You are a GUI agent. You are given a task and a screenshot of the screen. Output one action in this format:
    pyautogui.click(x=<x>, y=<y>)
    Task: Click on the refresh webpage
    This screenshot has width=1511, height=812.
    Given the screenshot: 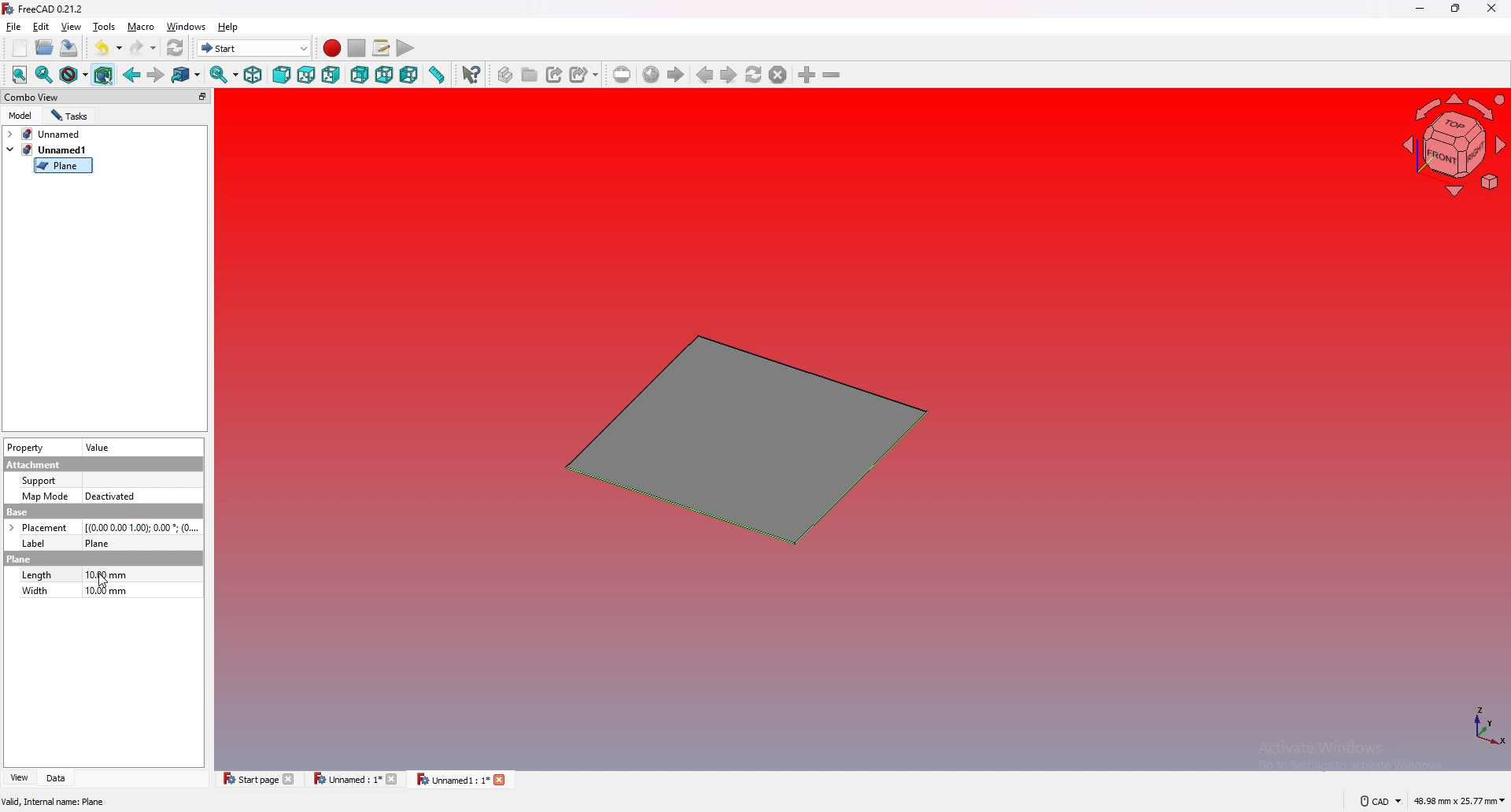 What is the action you would take?
    pyautogui.click(x=754, y=74)
    